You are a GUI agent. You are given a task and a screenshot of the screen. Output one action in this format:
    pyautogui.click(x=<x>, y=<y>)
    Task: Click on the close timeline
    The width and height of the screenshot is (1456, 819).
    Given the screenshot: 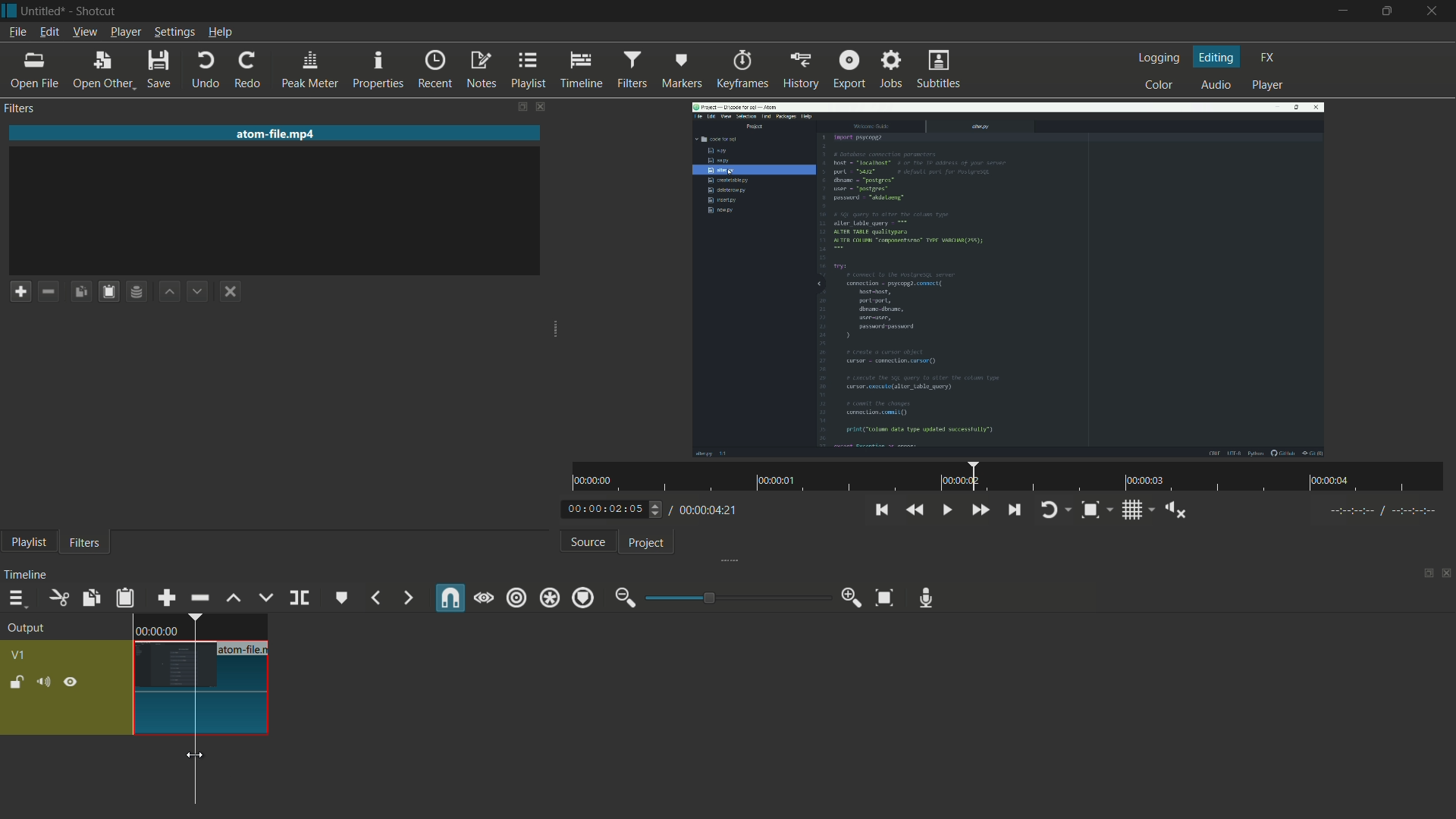 What is the action you would take?
    pyautogui.click(x=1447, y=574)
    